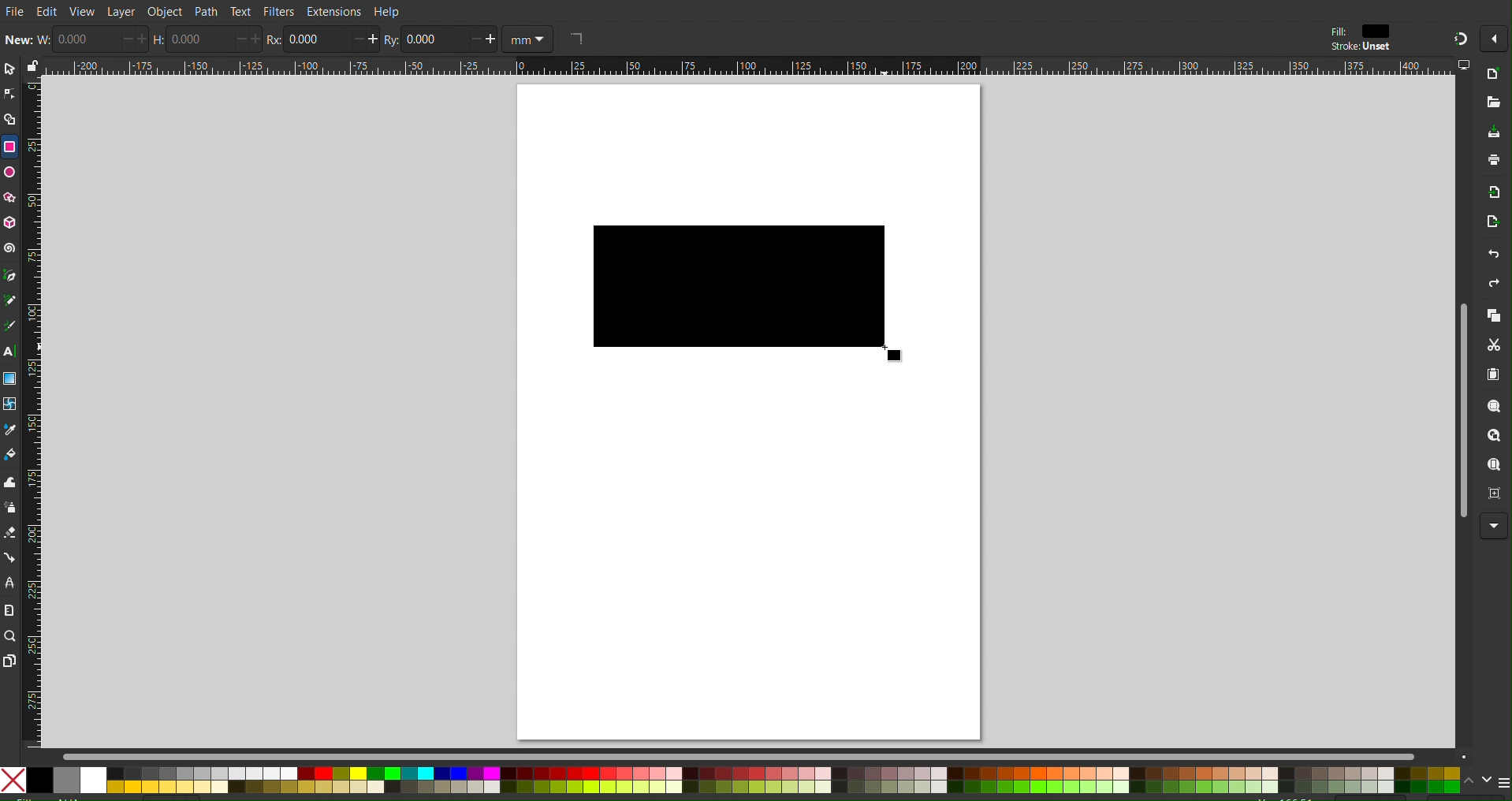 Image resolution: width=1512 pixels, height=801 pixels. Describe the element at coordinates (9, 583) in the screenshot. I see `LPE Tool` at that location.